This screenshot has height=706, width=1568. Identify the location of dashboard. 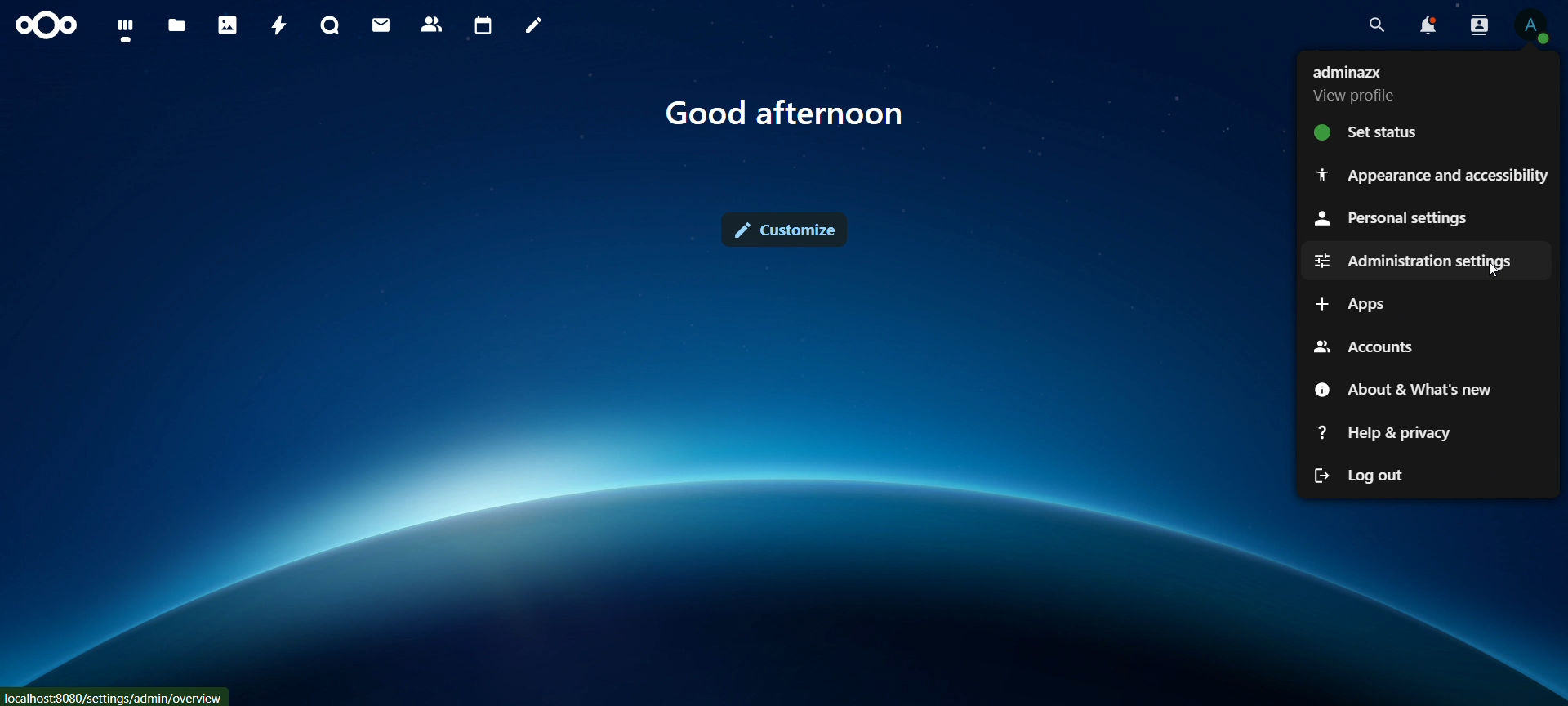
(127, 29).